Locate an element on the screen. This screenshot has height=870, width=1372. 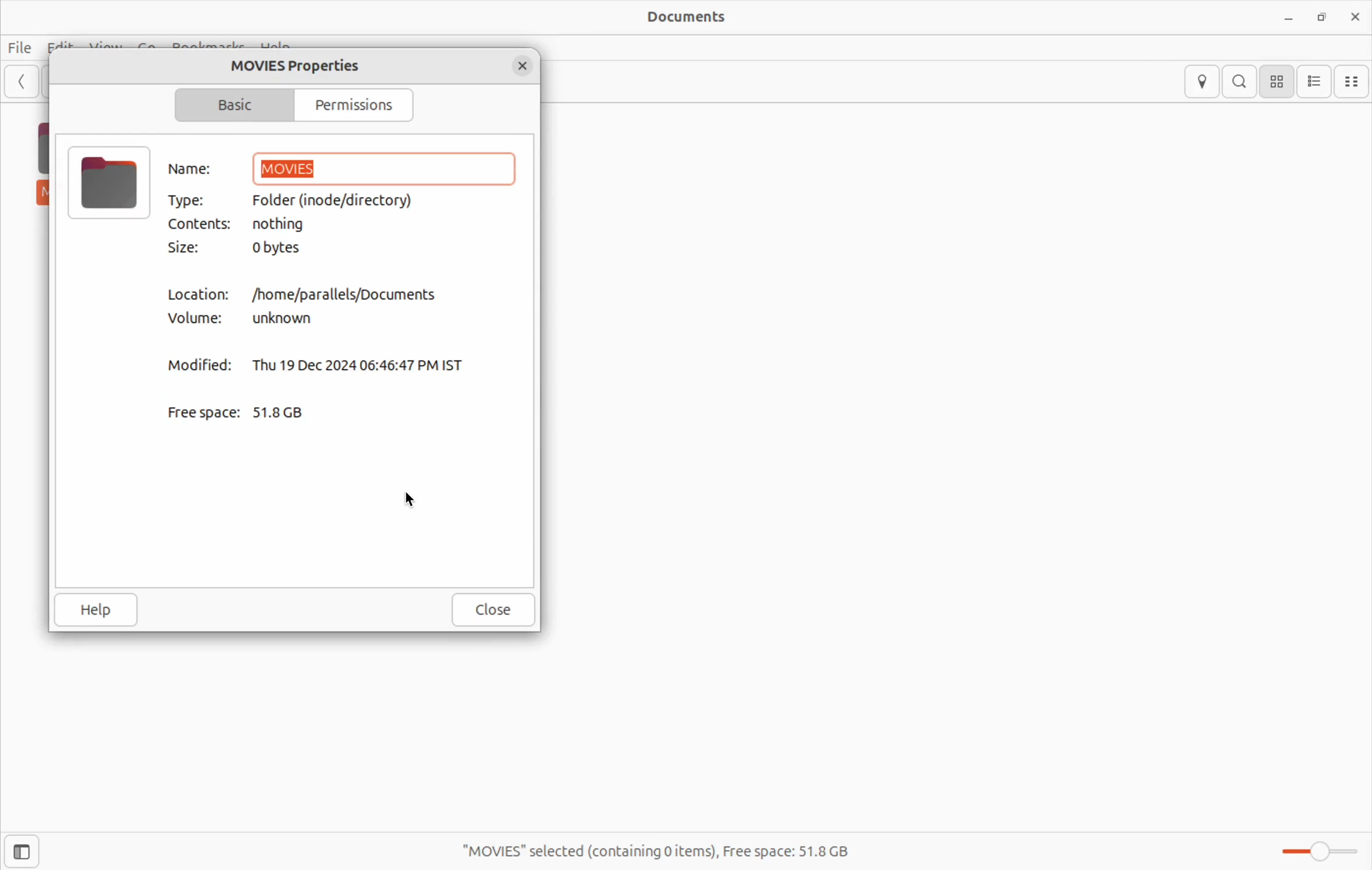
Name: is located at coordinates (196, 169).